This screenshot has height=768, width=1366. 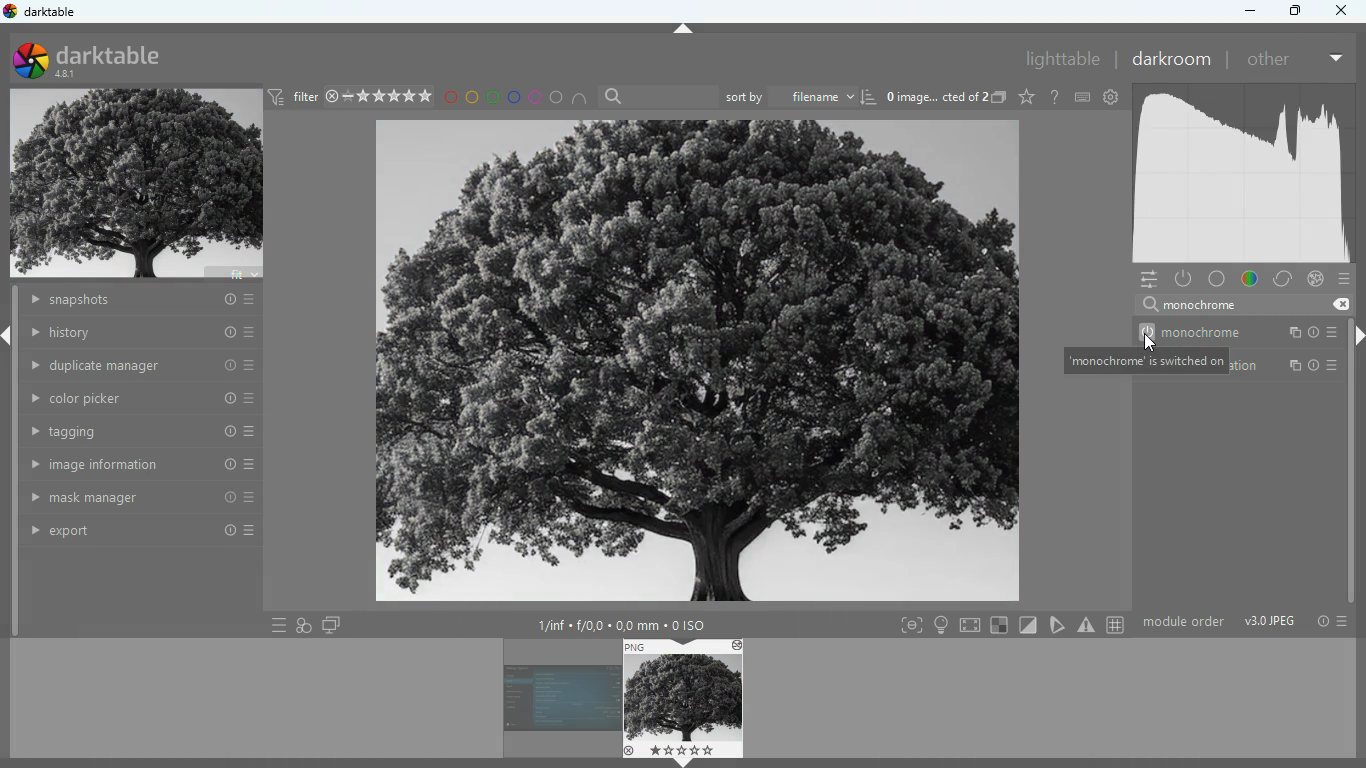 I want to click on green, so click(x=494, y=98).